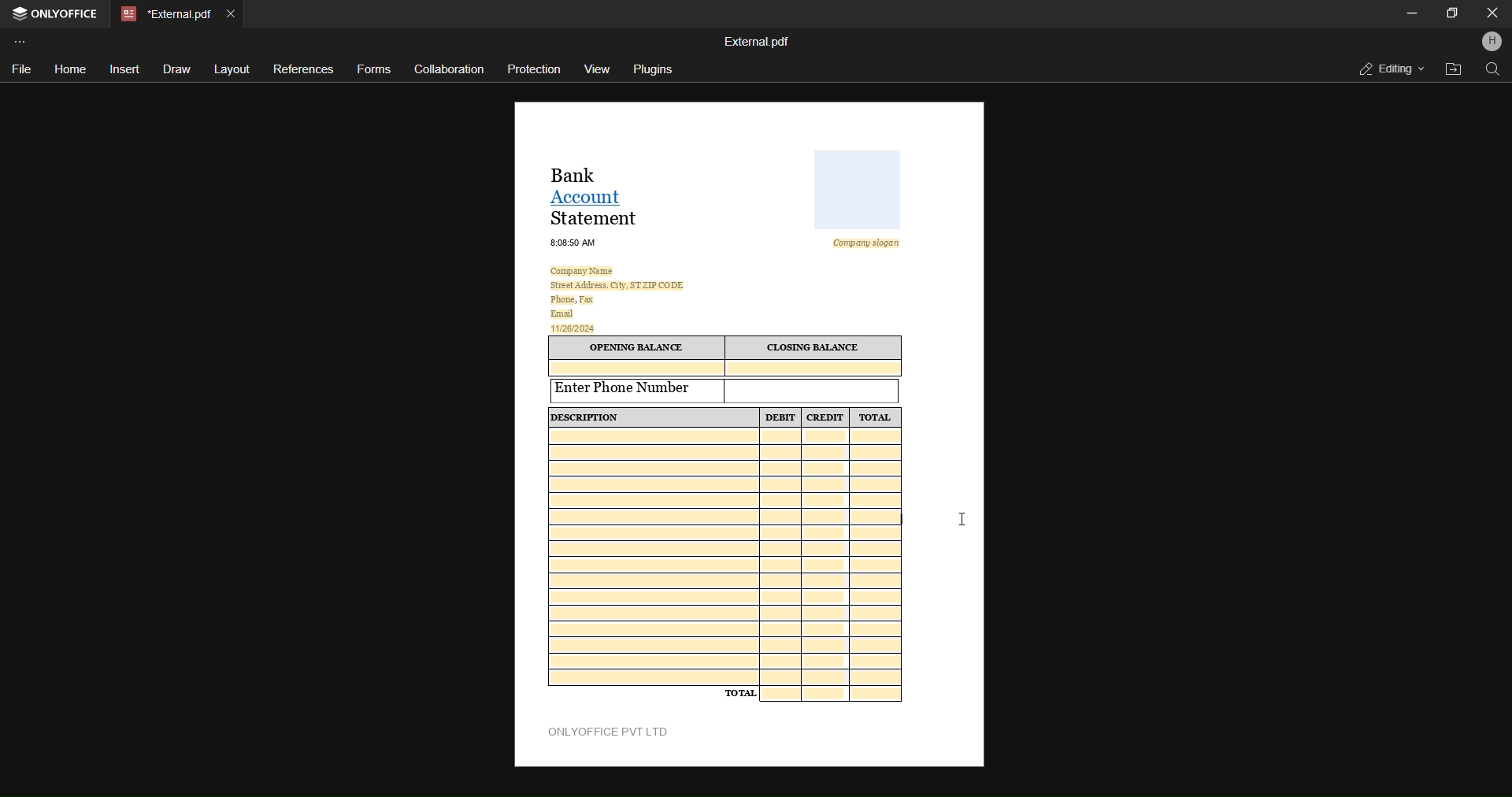 This screenshot has width=1512, height=797. I want to click on file name, so click(757, 40).